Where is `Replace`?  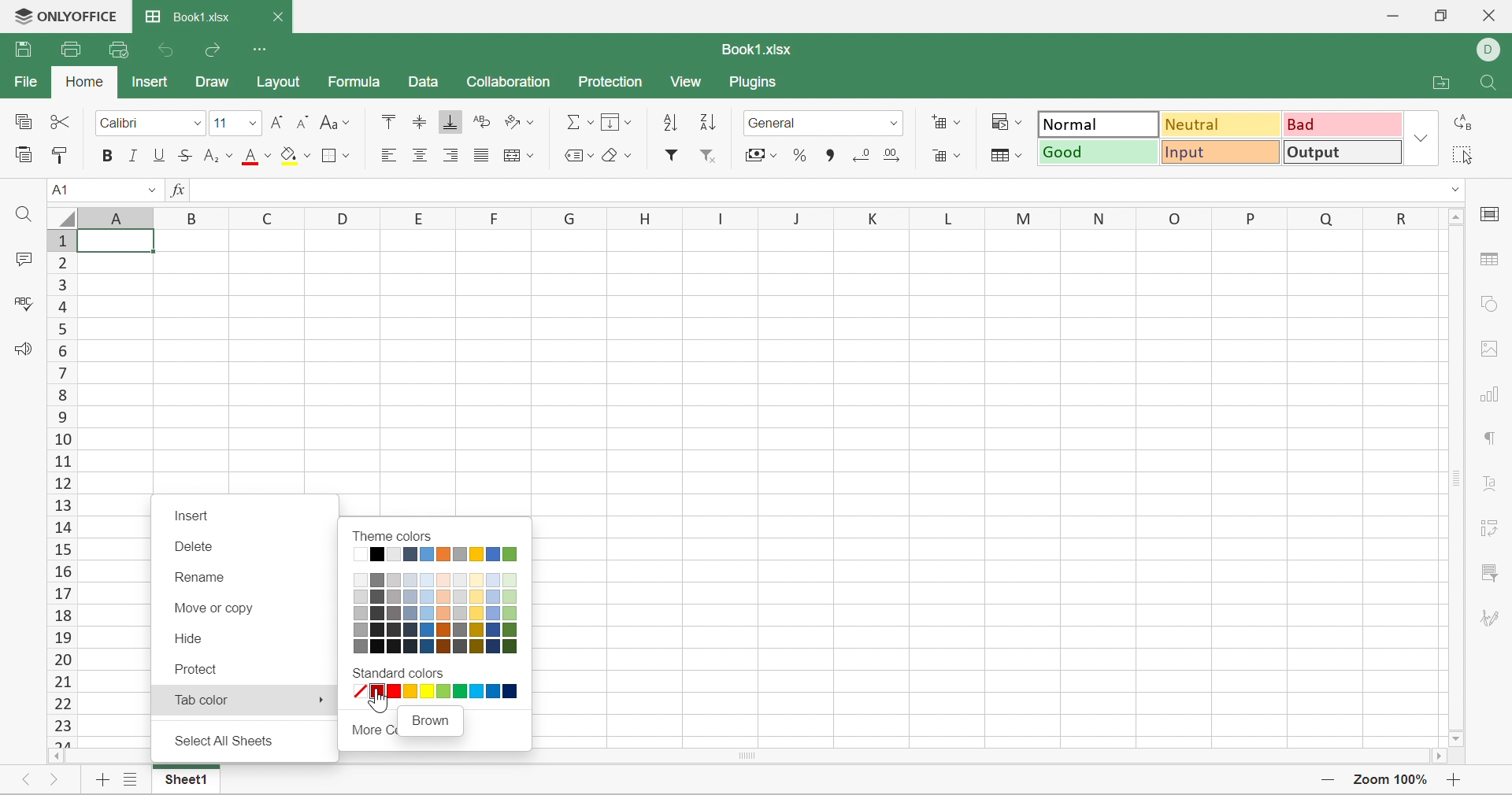 Replace is located at coordinates (1461, 124).